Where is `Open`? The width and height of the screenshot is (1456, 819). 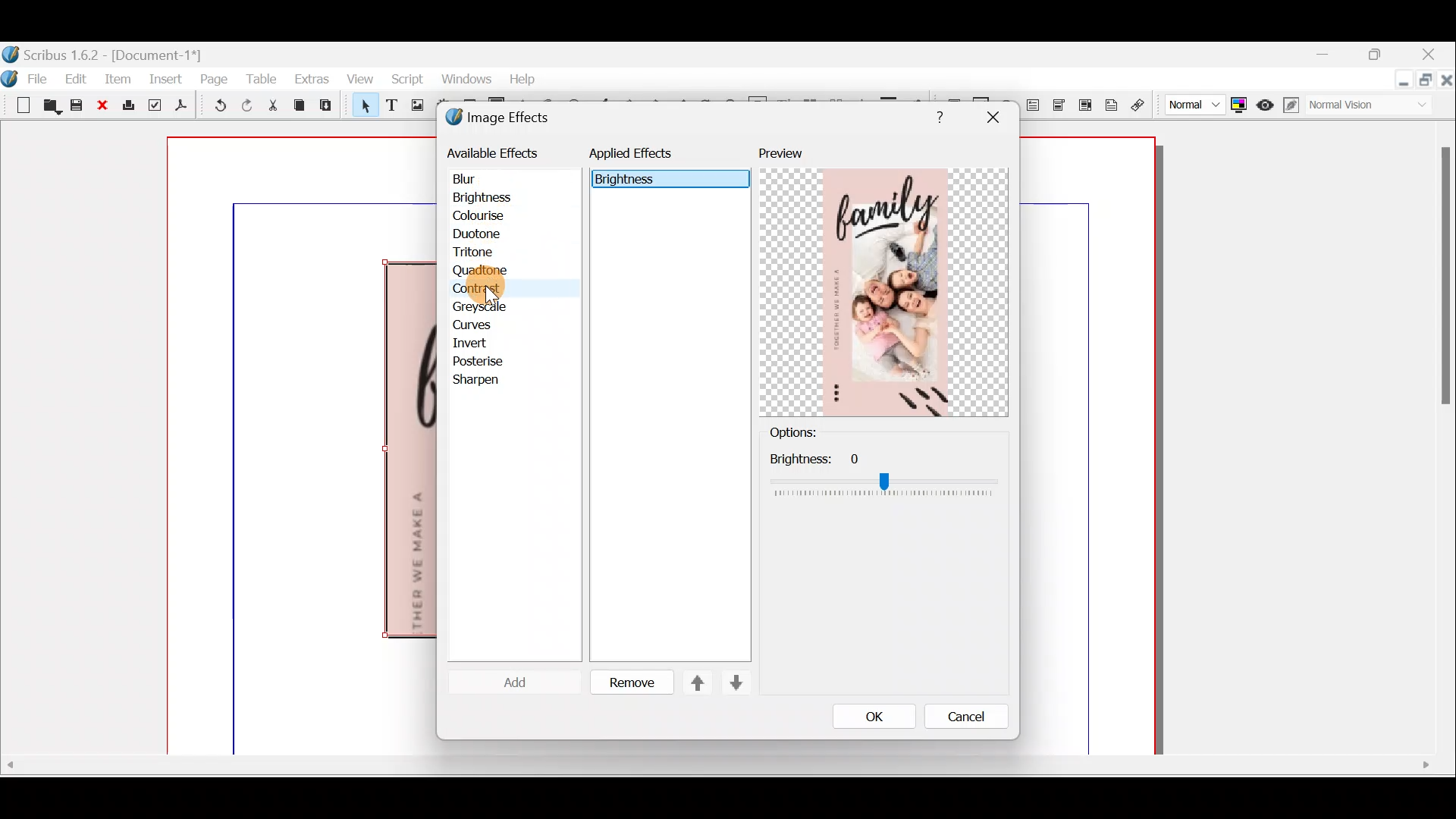
Open is located at coordinates (49, 108).